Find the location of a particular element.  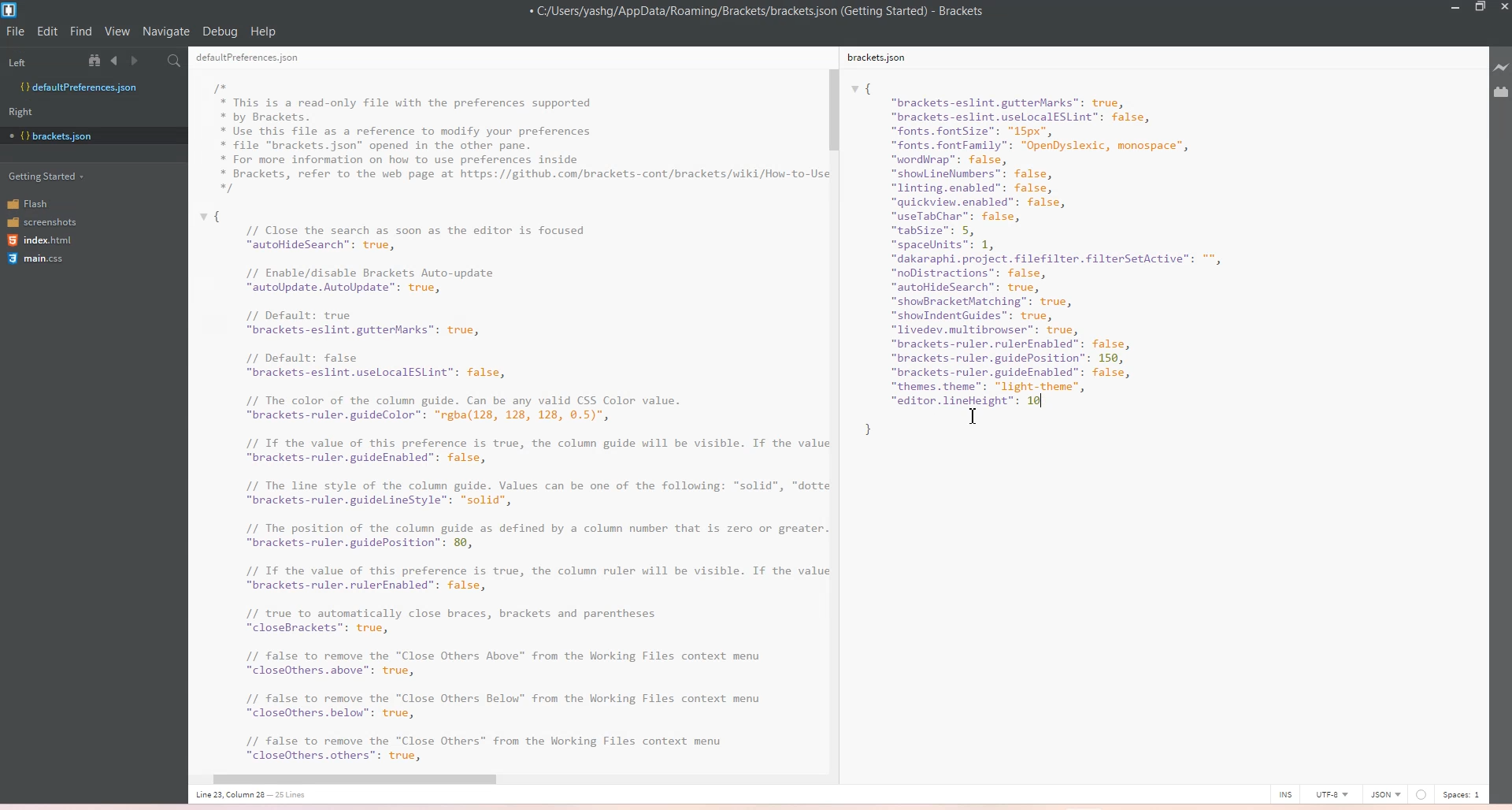

Bracket.json is located at coordinates (60, 134).